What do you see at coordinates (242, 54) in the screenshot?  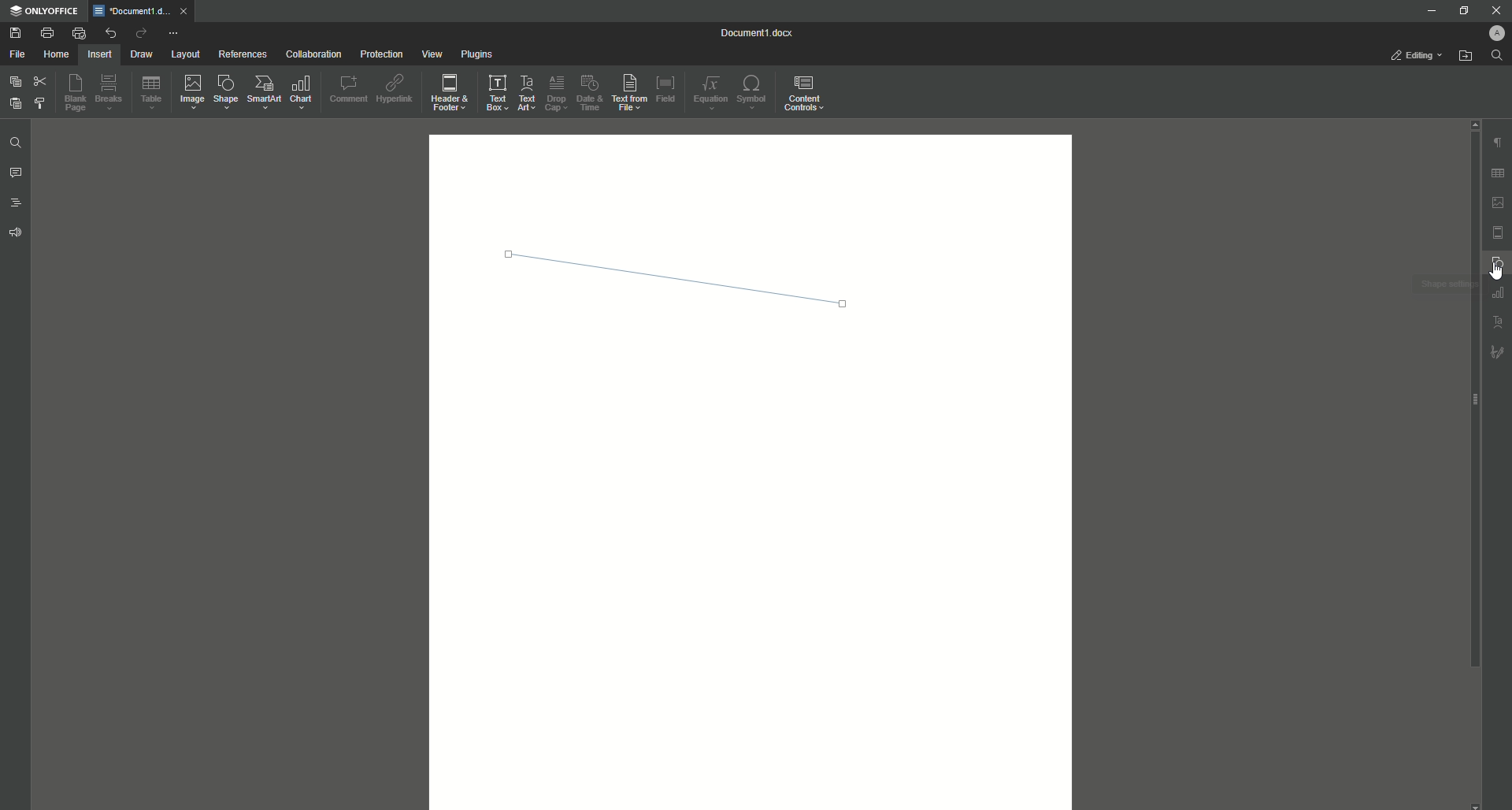 I see `References` at bounding box center [242, 54].